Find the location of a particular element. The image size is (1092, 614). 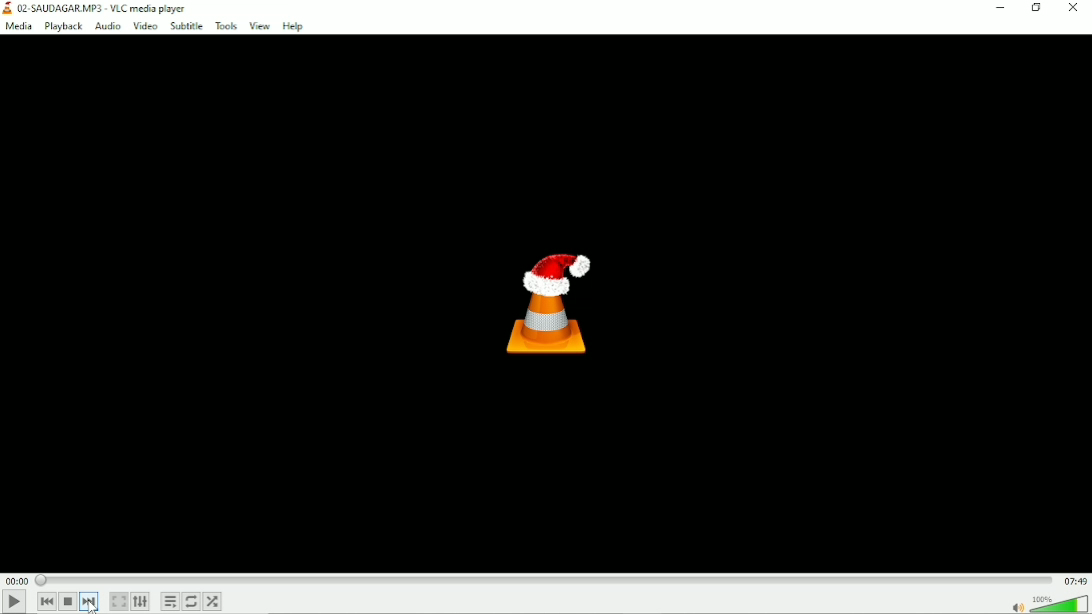

Restore down is located at coordinates (1036, 7).